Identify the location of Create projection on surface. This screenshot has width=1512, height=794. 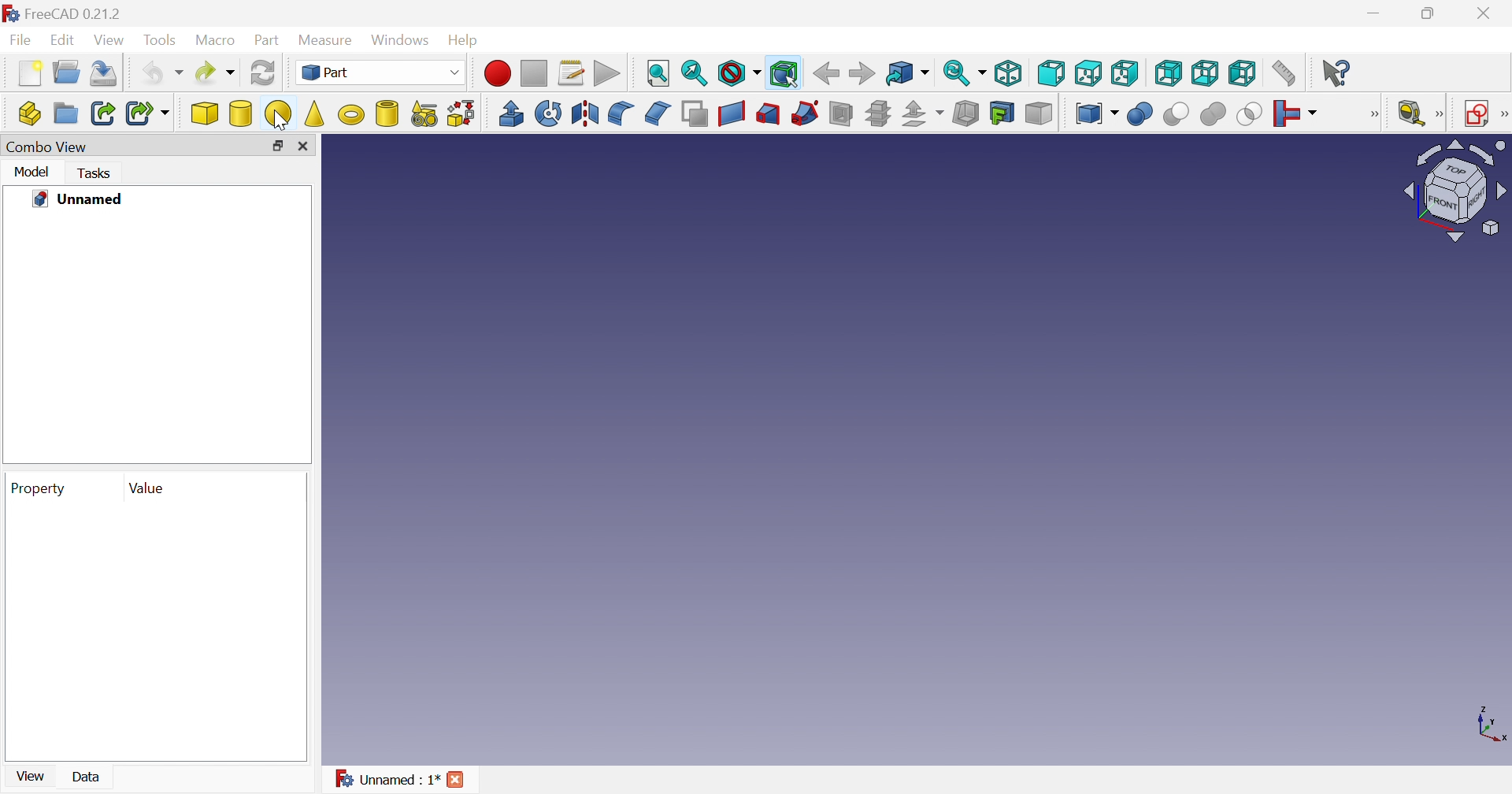
(1002, 113).